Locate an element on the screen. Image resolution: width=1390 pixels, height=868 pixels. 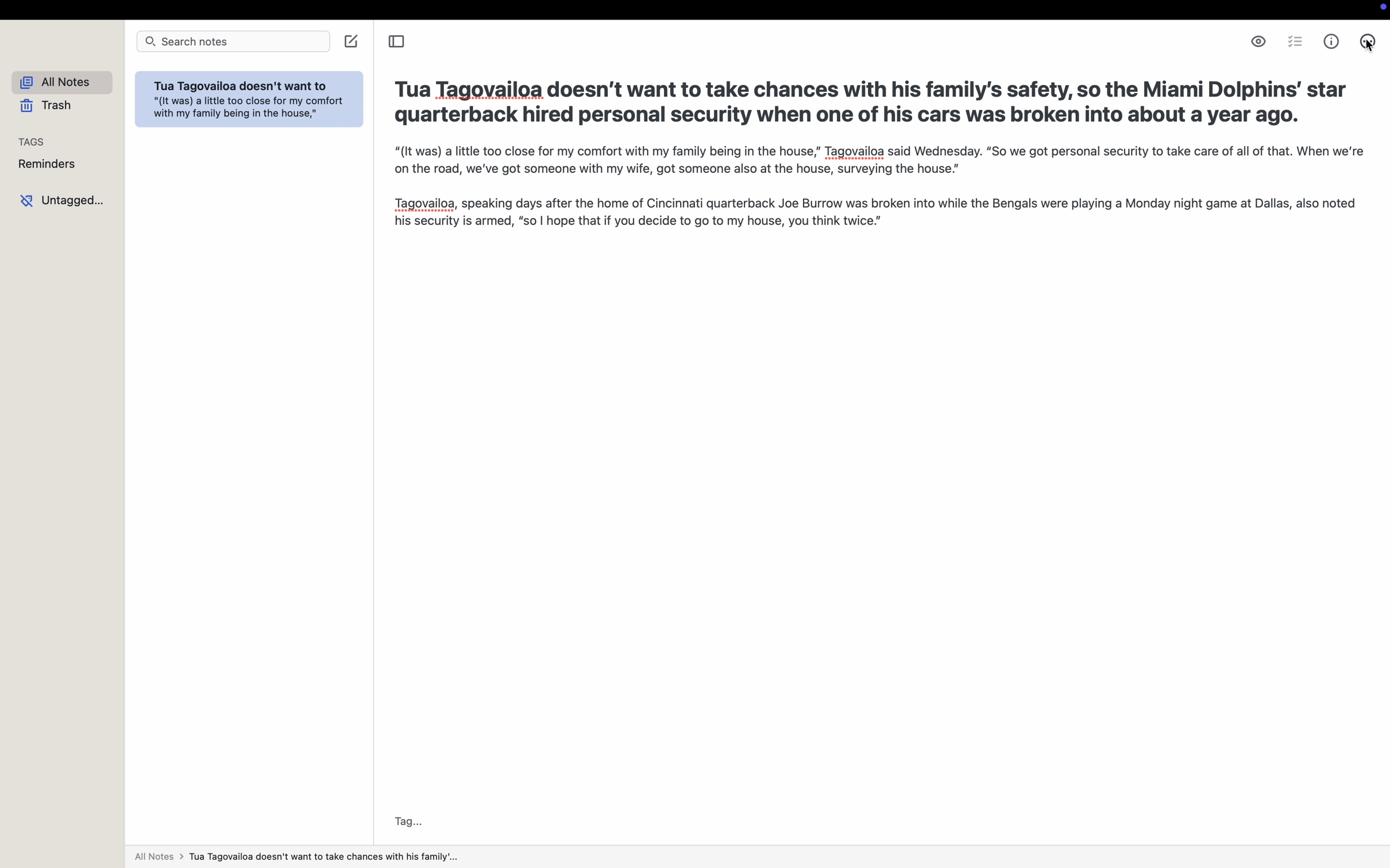
toggle sidebar is located at coordinates (395, 40).